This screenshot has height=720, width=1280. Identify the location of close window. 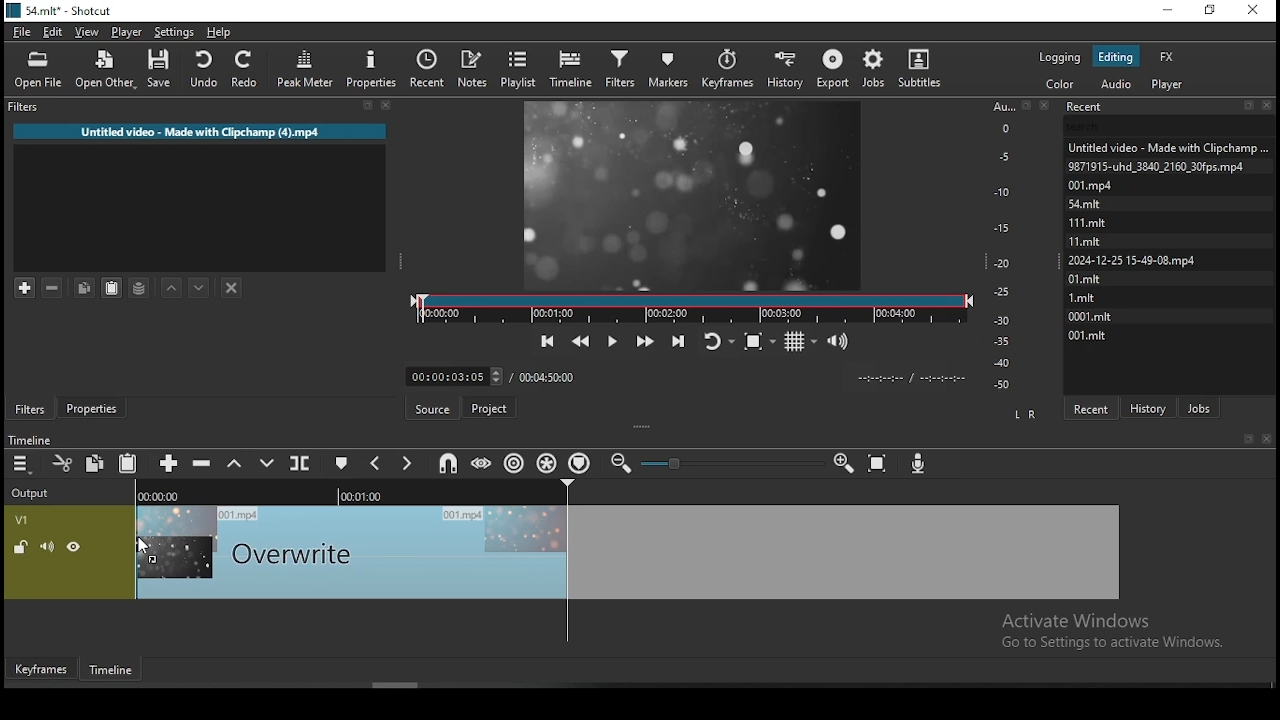
(1253, 9).